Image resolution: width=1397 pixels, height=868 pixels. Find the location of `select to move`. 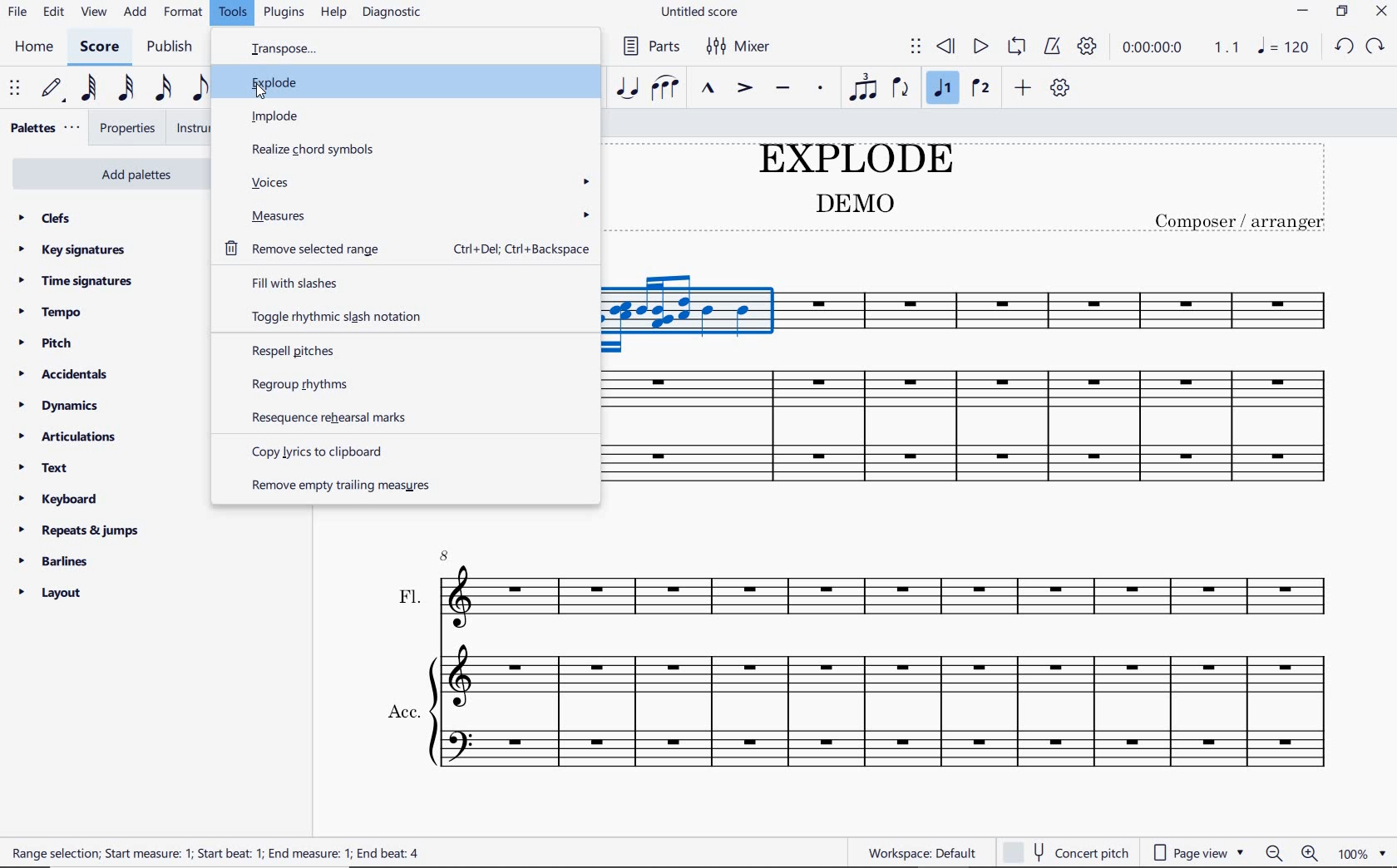

select to move is located at coordinates (915, 47).